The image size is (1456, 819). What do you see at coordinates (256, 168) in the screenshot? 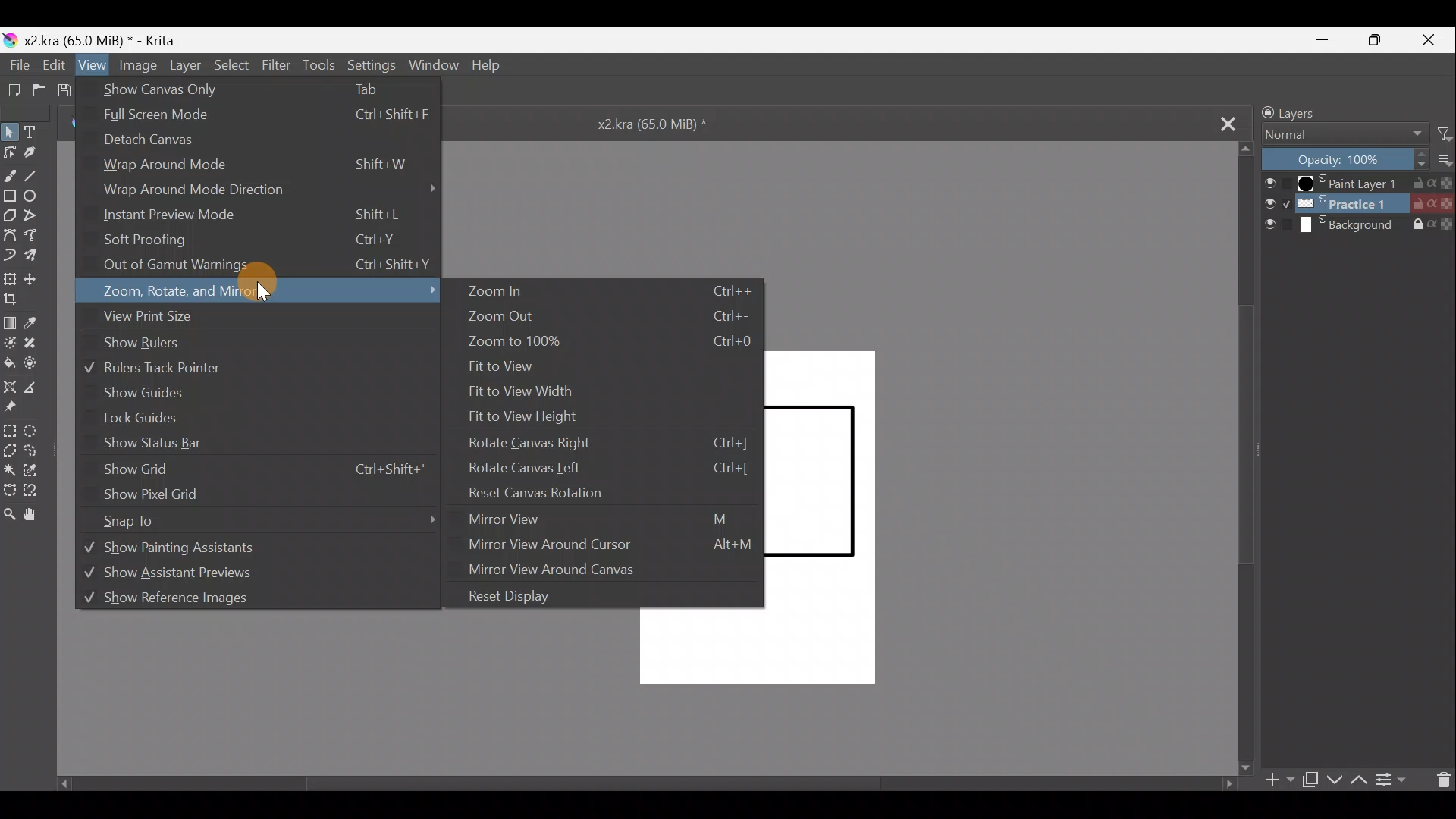
I see `Wrap around mode` at bounding box center [256, 168].